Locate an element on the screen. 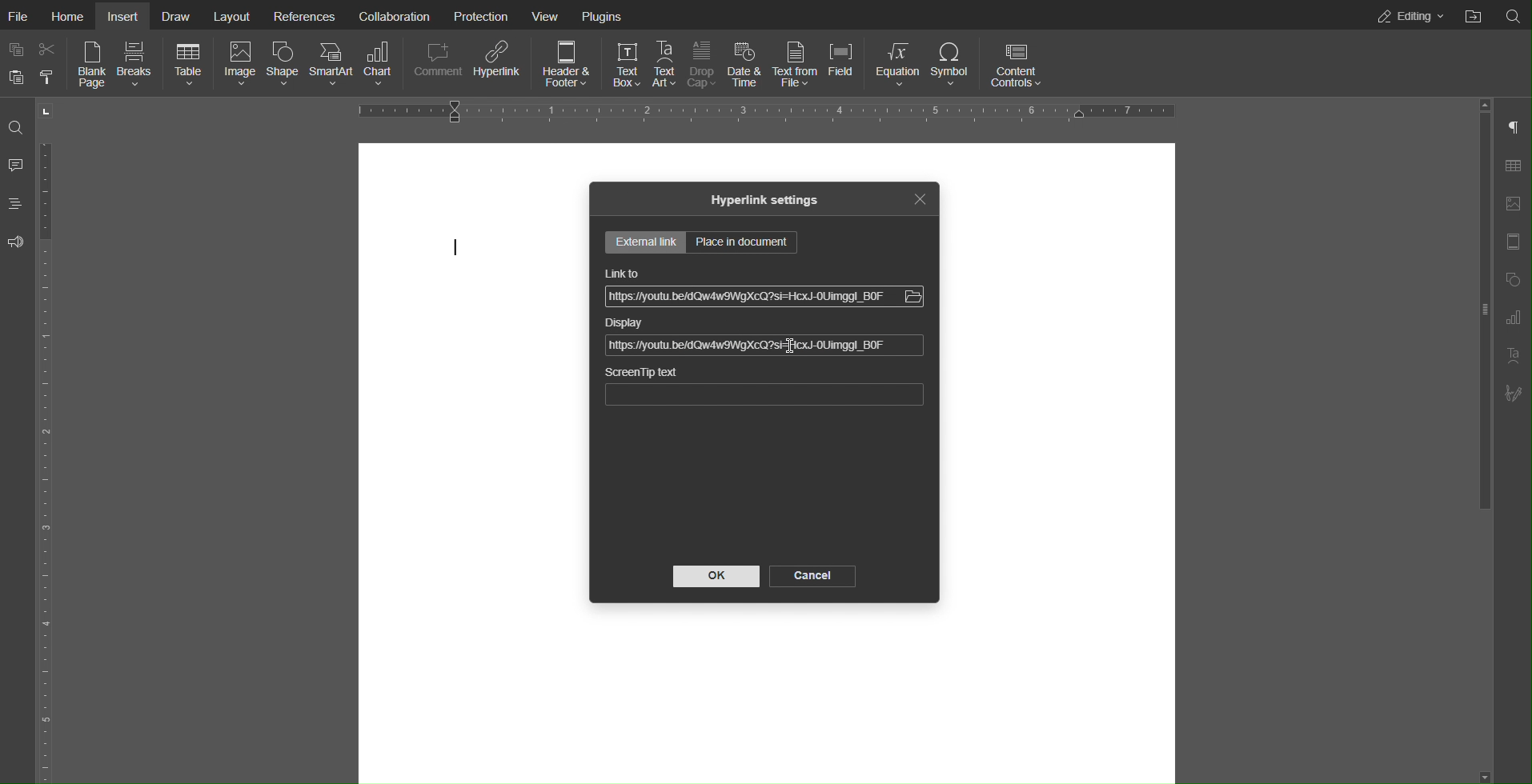 The height and width of the screenshot is (784, 1532). Image Settings is located at coordinates (1512, 204).